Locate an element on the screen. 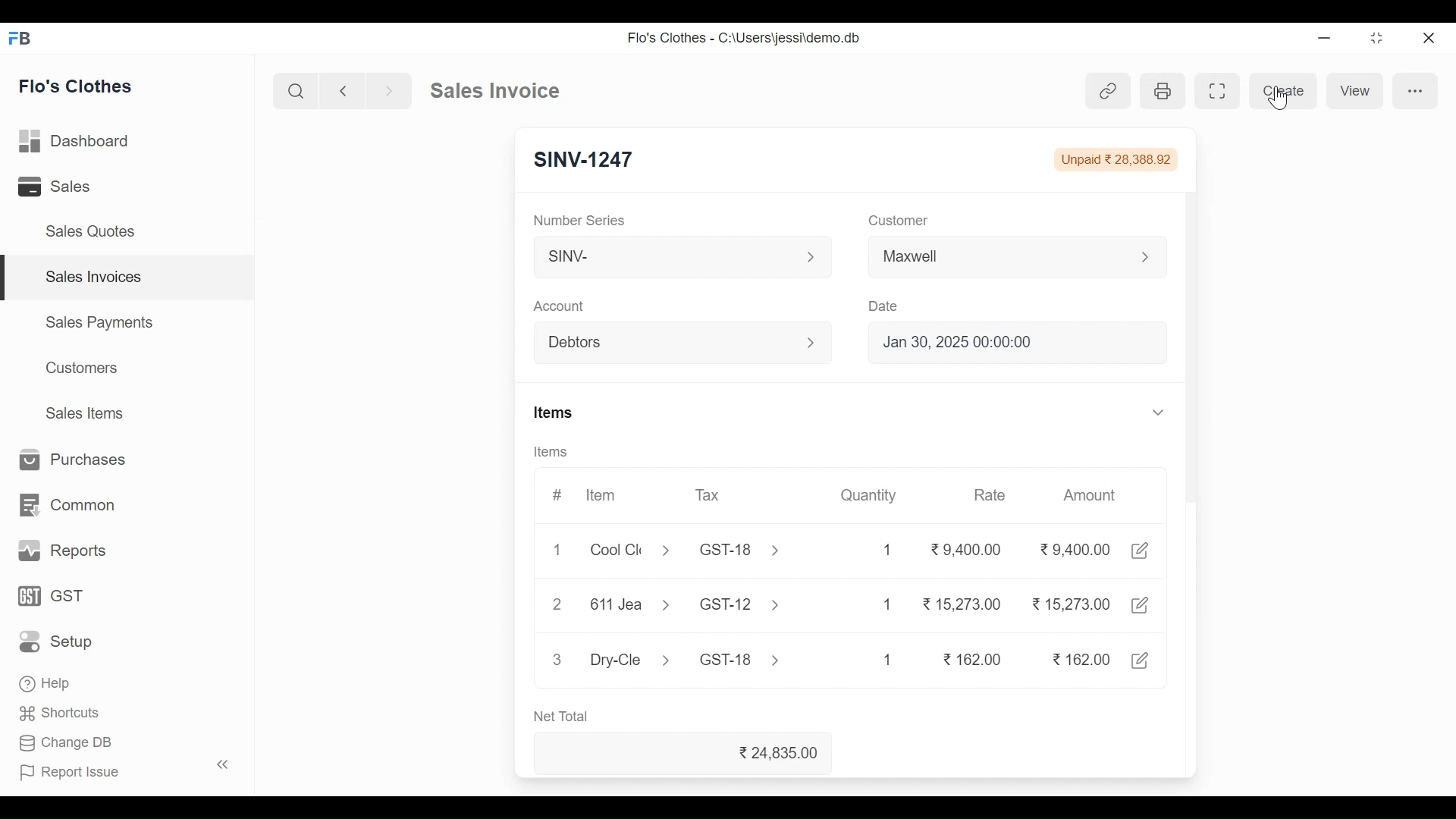 This screenshot has height=819, width=1456. Expand is located at coordinates (1147, 257).